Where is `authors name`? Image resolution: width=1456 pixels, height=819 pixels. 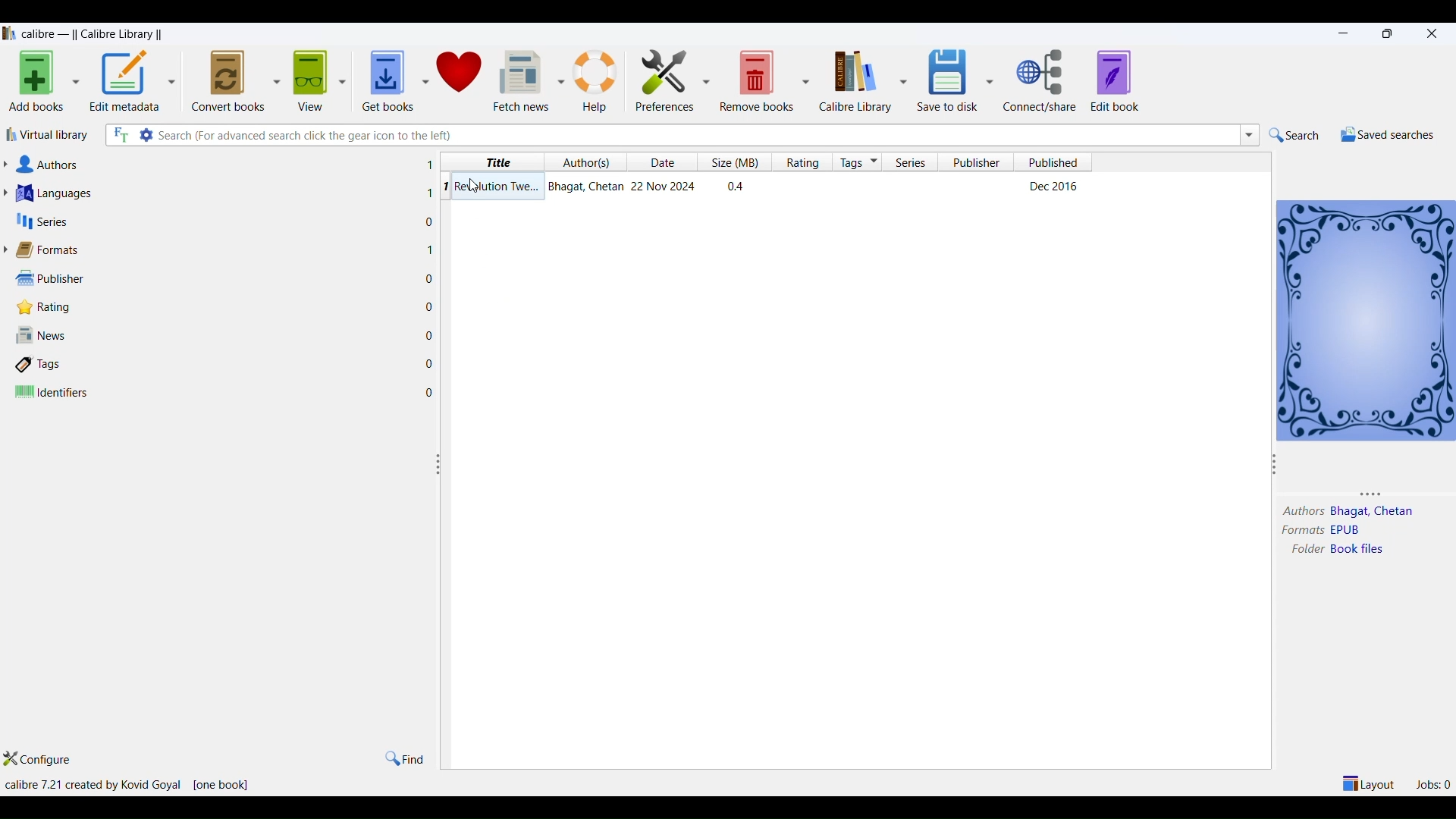
authors name is located at coordinates (1373, 510).